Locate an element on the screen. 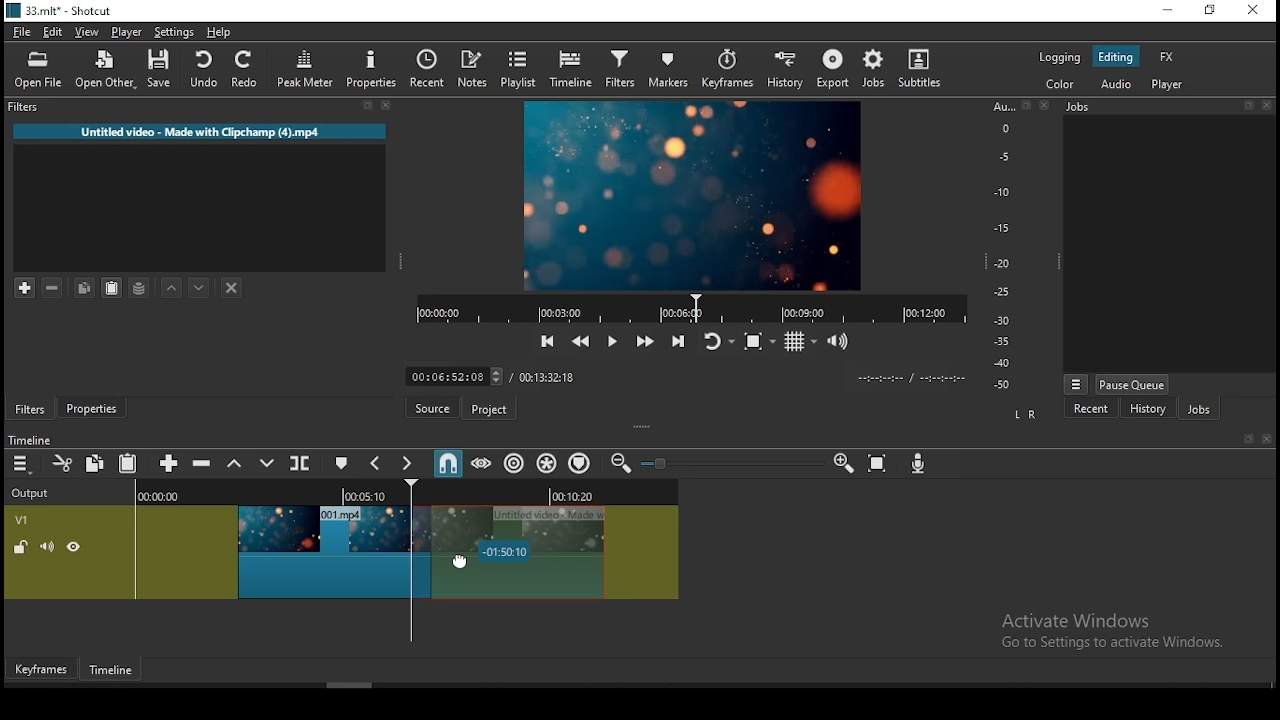 The width and height of the screenshot is (1280, 720). play/pause is located at coordinates (611, 338).